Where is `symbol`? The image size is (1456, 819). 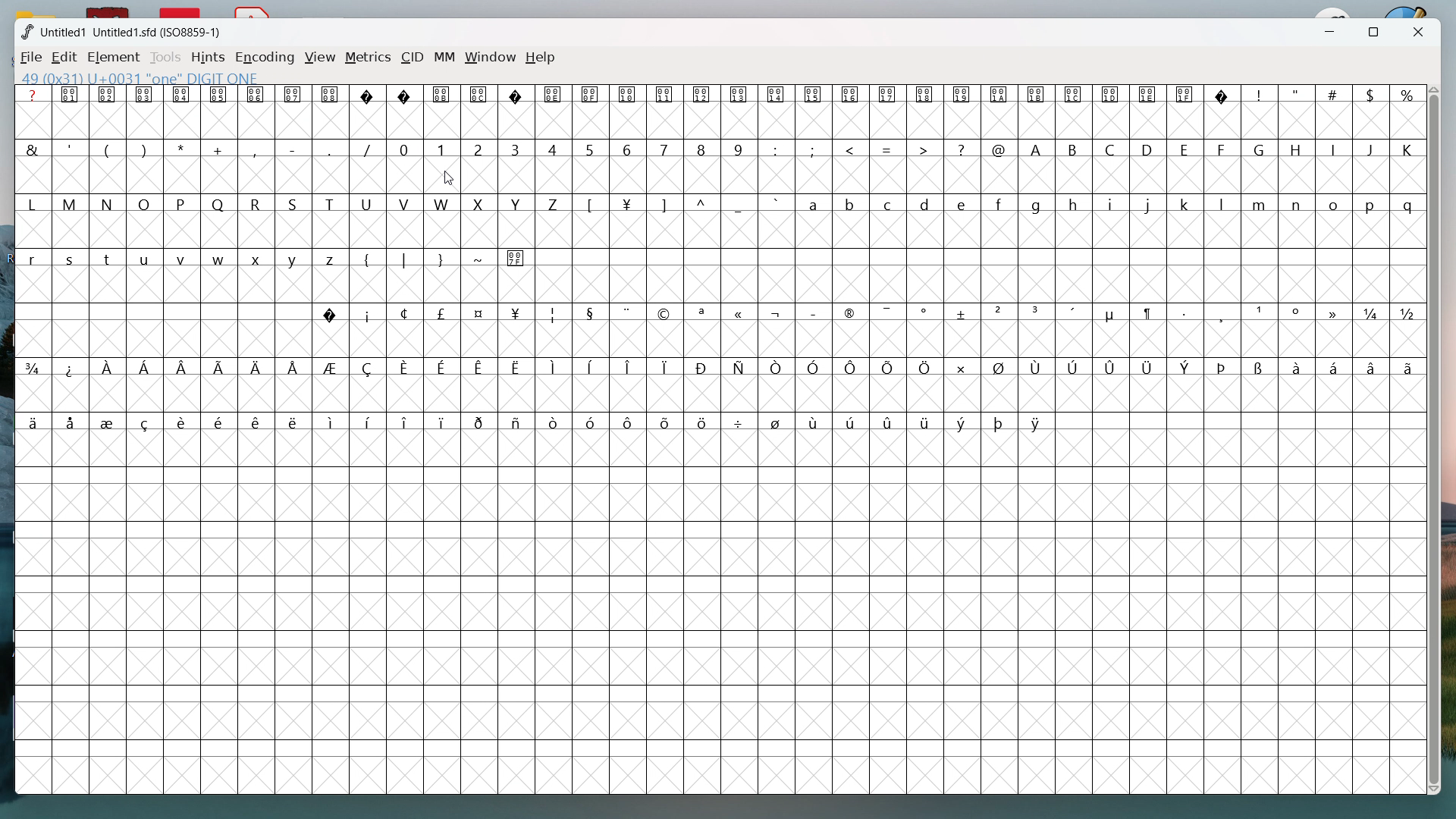
symbol is located at coordinates (1222, 96).